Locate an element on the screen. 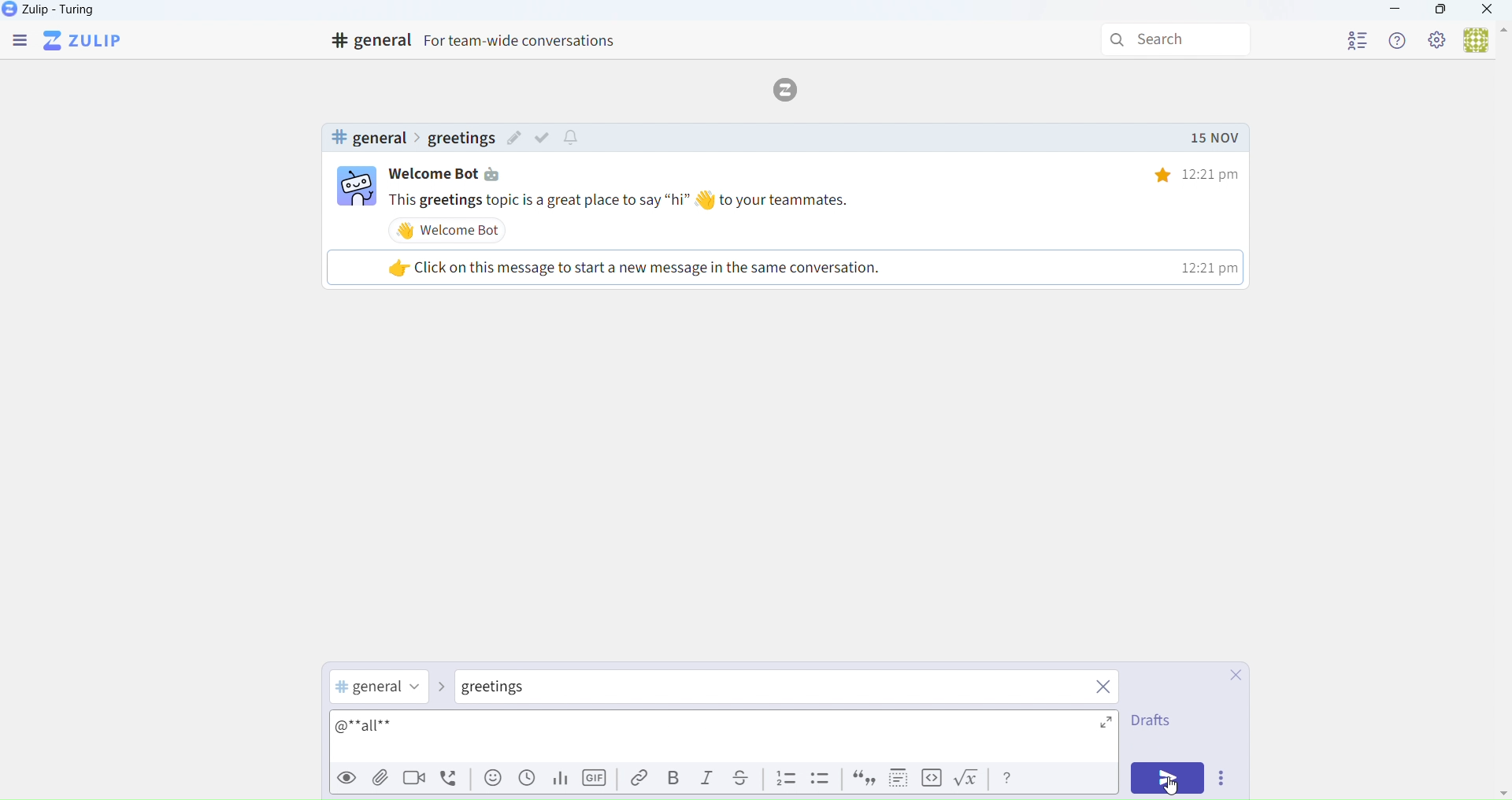  Menu Bar is located at coordinates (18, 42).